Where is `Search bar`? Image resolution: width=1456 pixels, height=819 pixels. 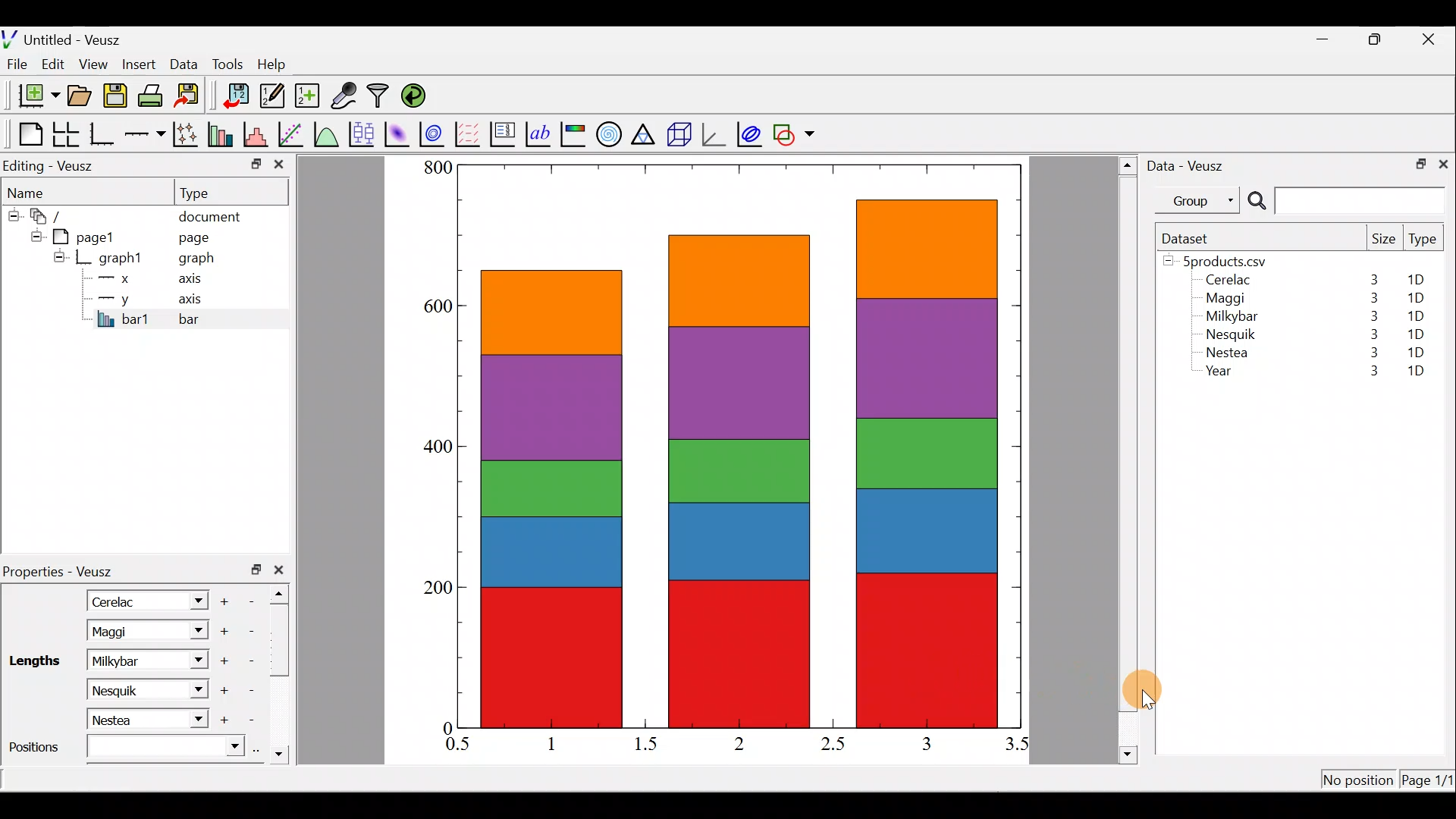
Search bar is located at coordinates (1344, 201).